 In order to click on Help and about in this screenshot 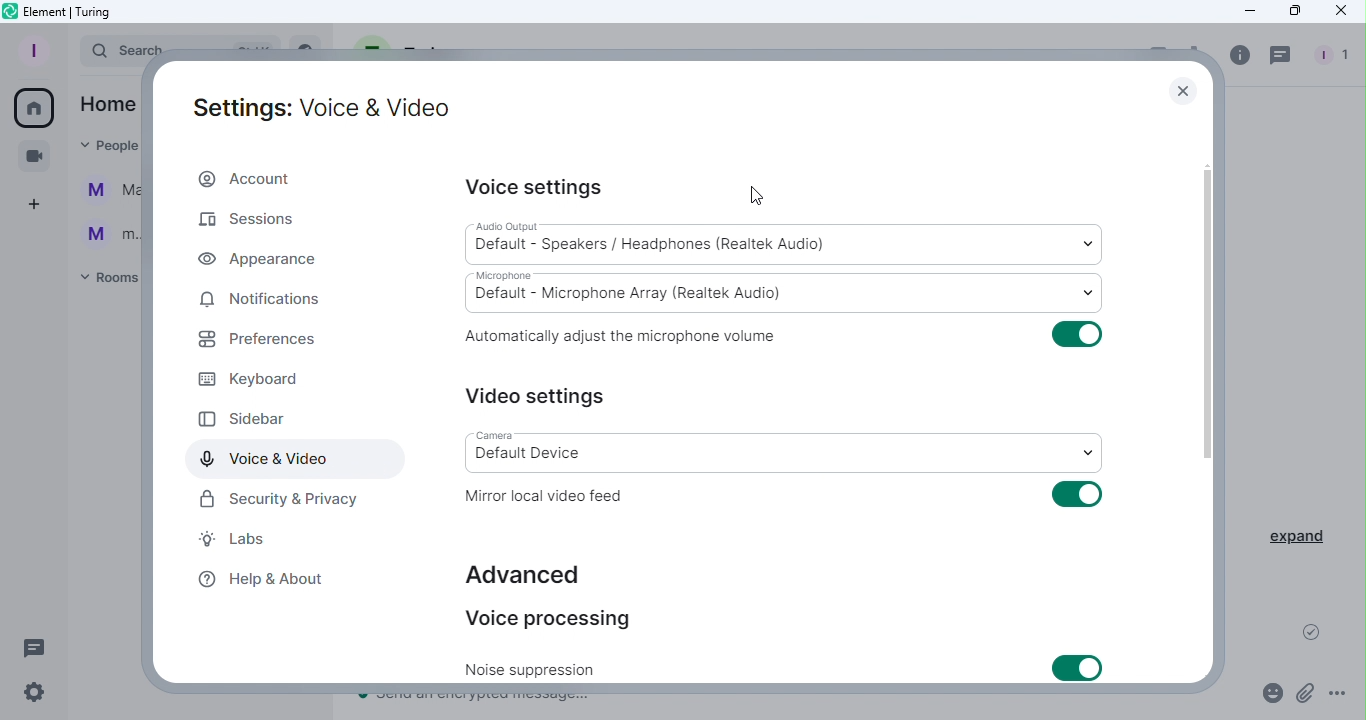, I will do `click(268, 584)`.